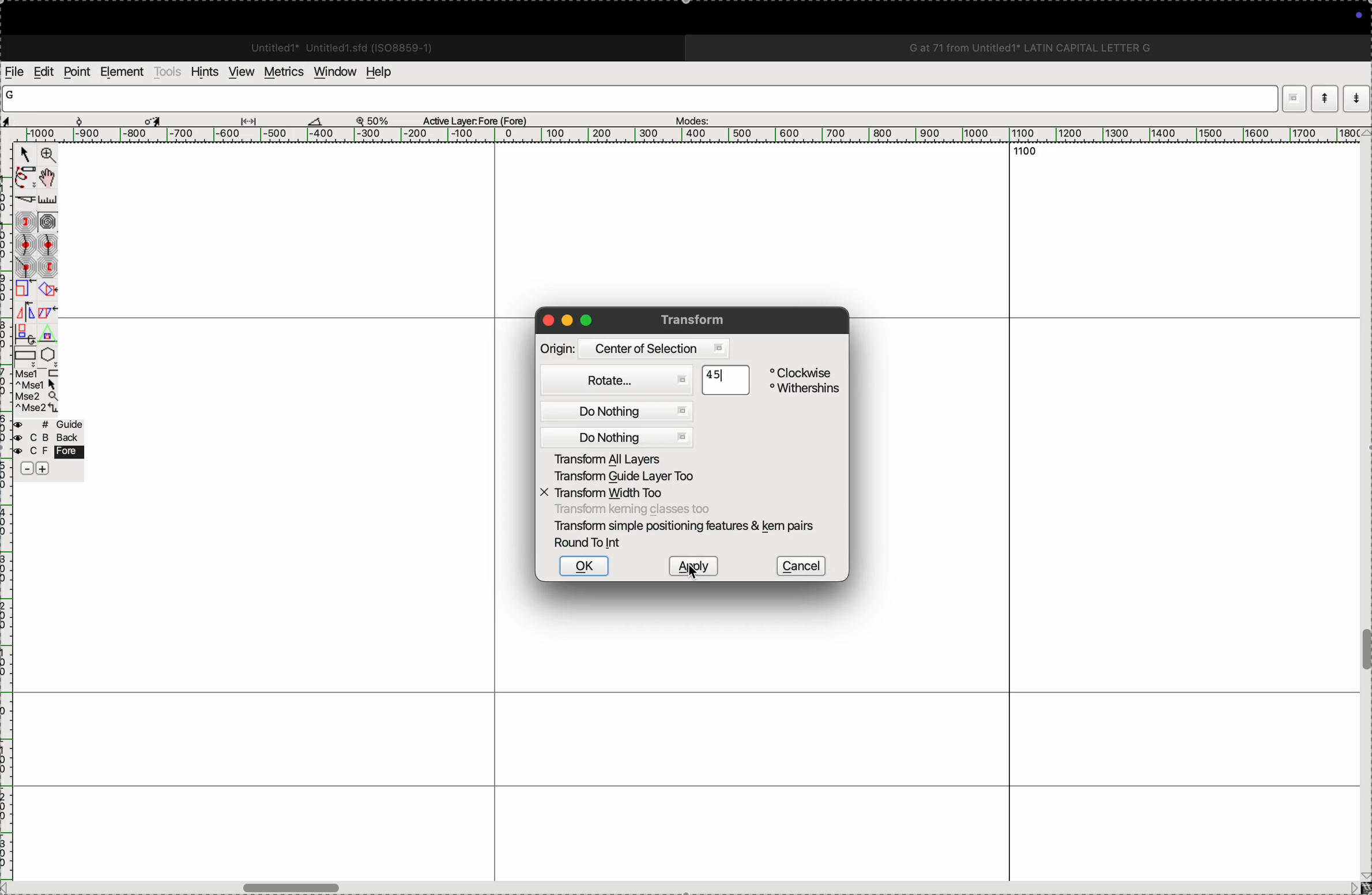 The height and width of the screenshot is (895, 1372). Describe the element at coordinates (25, 312) in the screenshot. I see `flip` at that location.